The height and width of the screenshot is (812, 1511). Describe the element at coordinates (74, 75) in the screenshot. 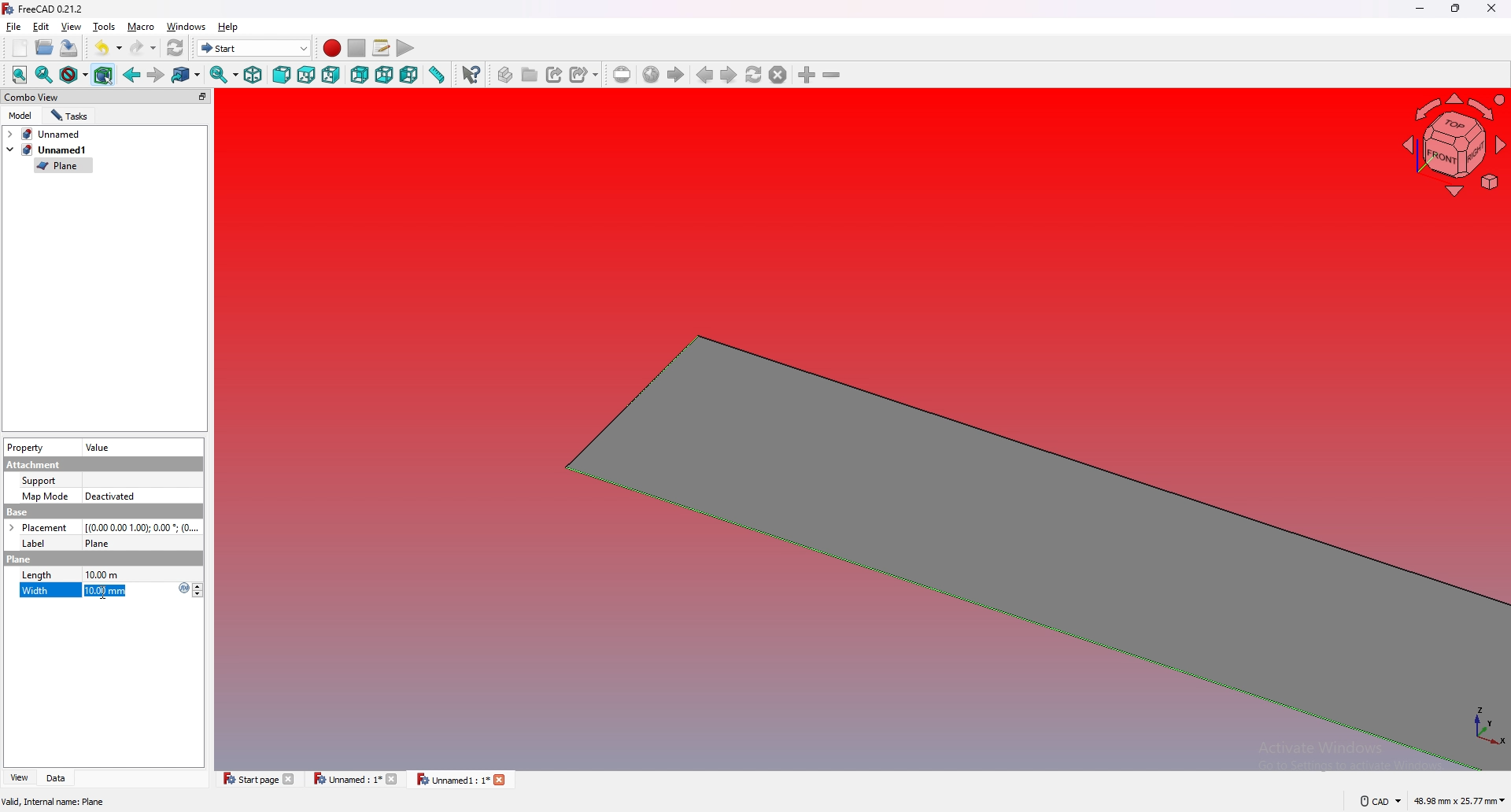

I see `draw style` at that location.